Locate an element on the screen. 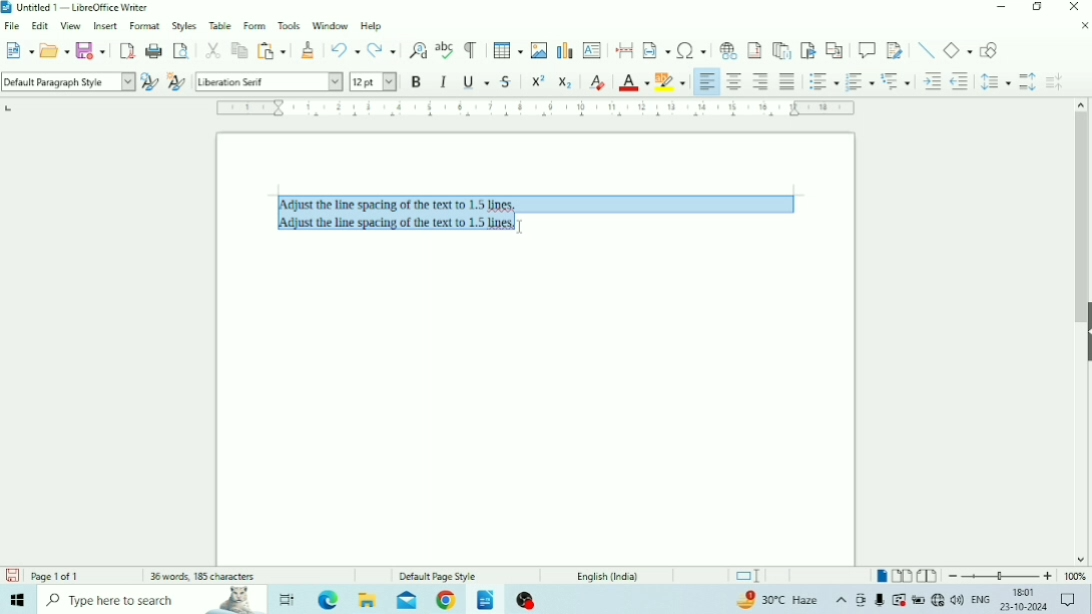  Insert Text Box is located at coordinates (593, 50).